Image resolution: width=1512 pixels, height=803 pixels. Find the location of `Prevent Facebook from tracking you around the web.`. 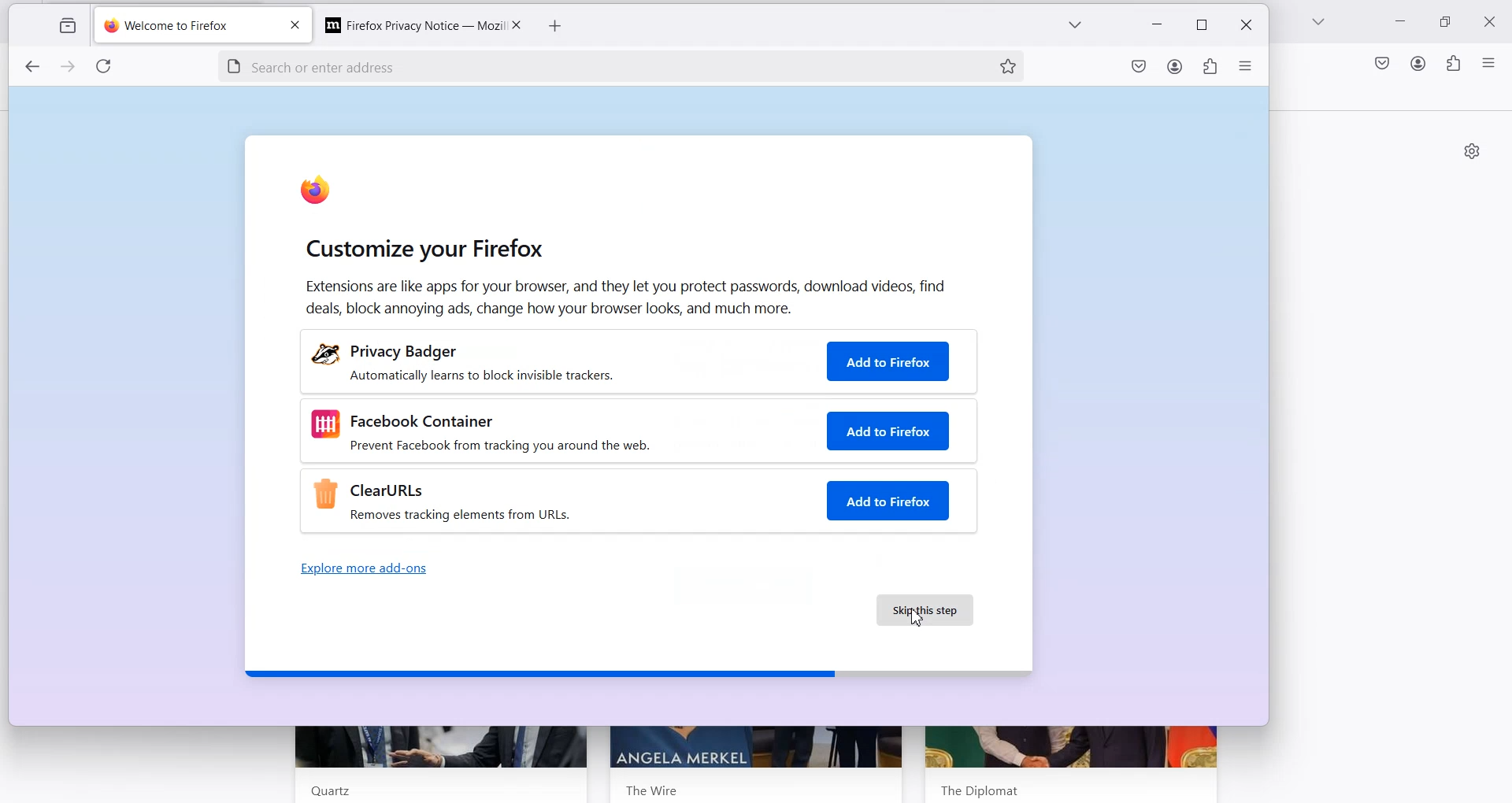

Prevent Facebook from tracking you around the web. is located at coordinates (577, 445).